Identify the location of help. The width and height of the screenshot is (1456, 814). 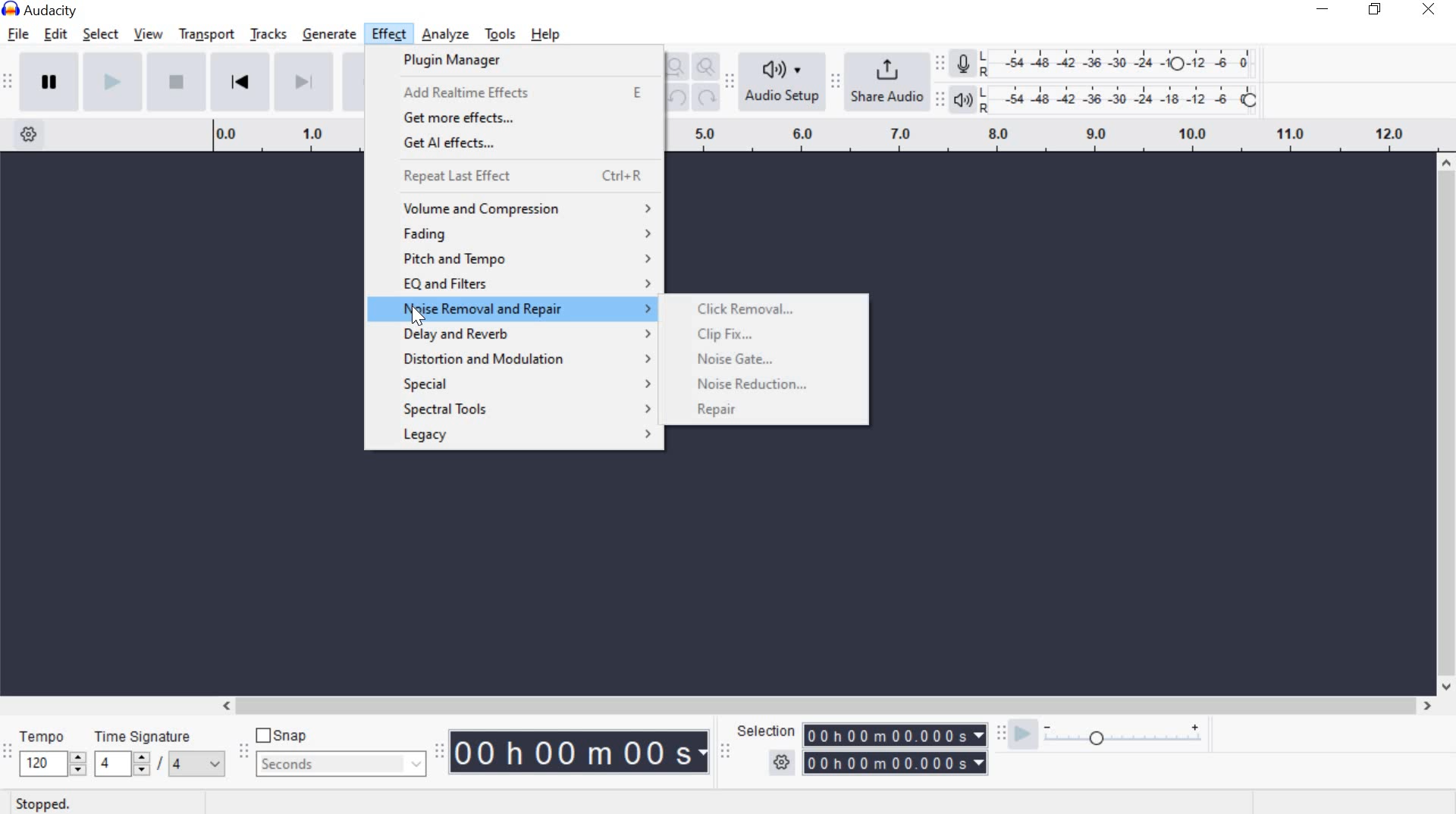
(548, 34).